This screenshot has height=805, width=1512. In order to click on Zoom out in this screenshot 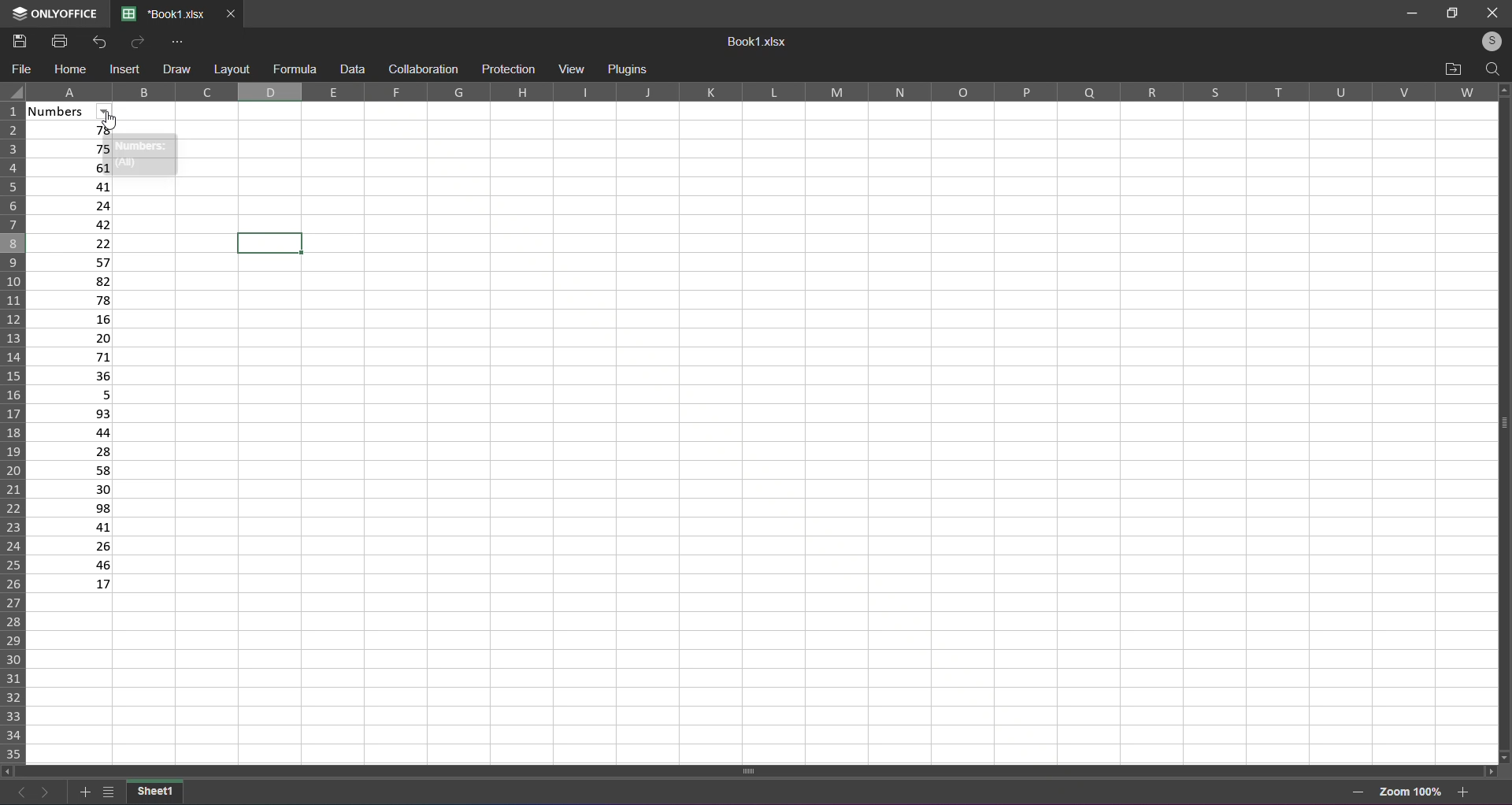, I will do `click(1358, 792)`.